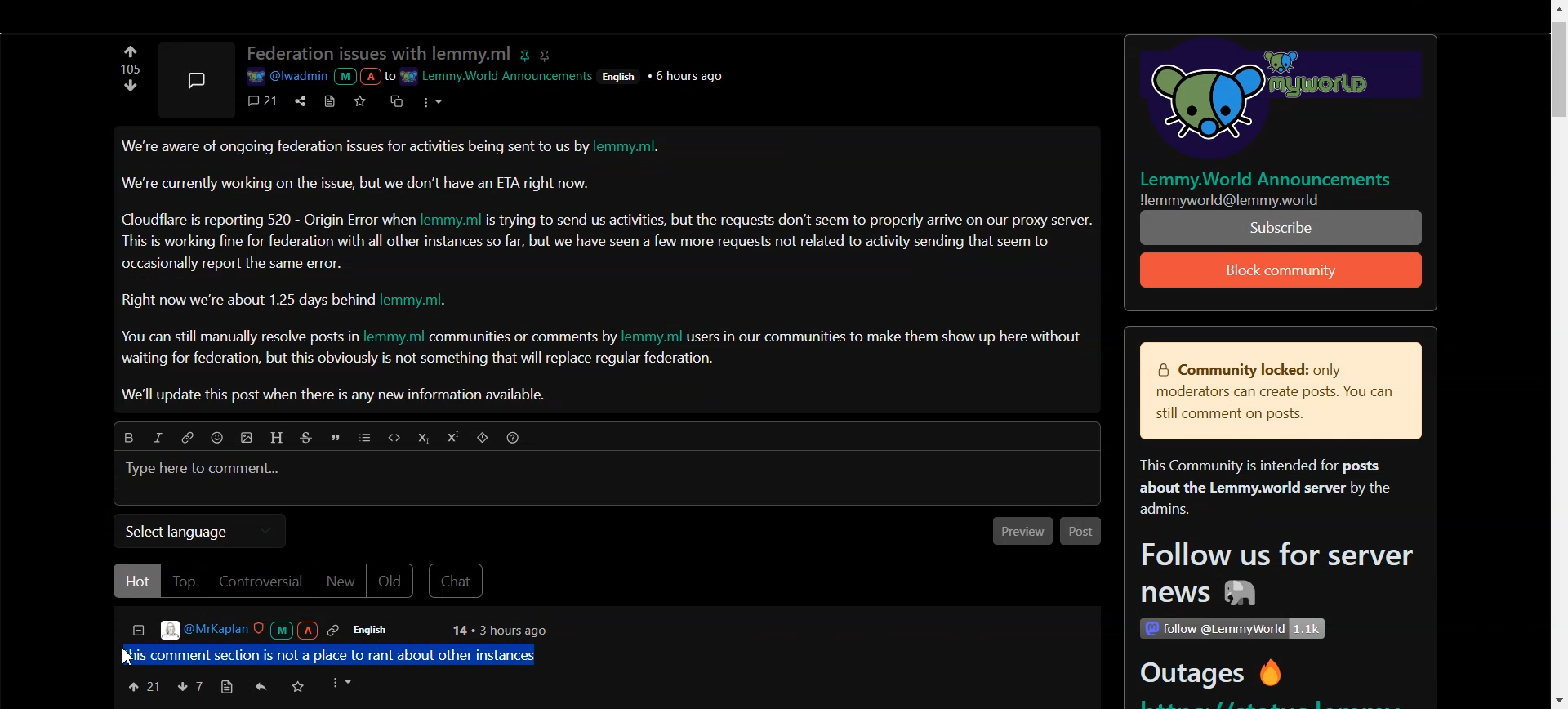 The width and height of the screenshot is (1568, 709). I want to click on Upload picture, so click(250, 439).